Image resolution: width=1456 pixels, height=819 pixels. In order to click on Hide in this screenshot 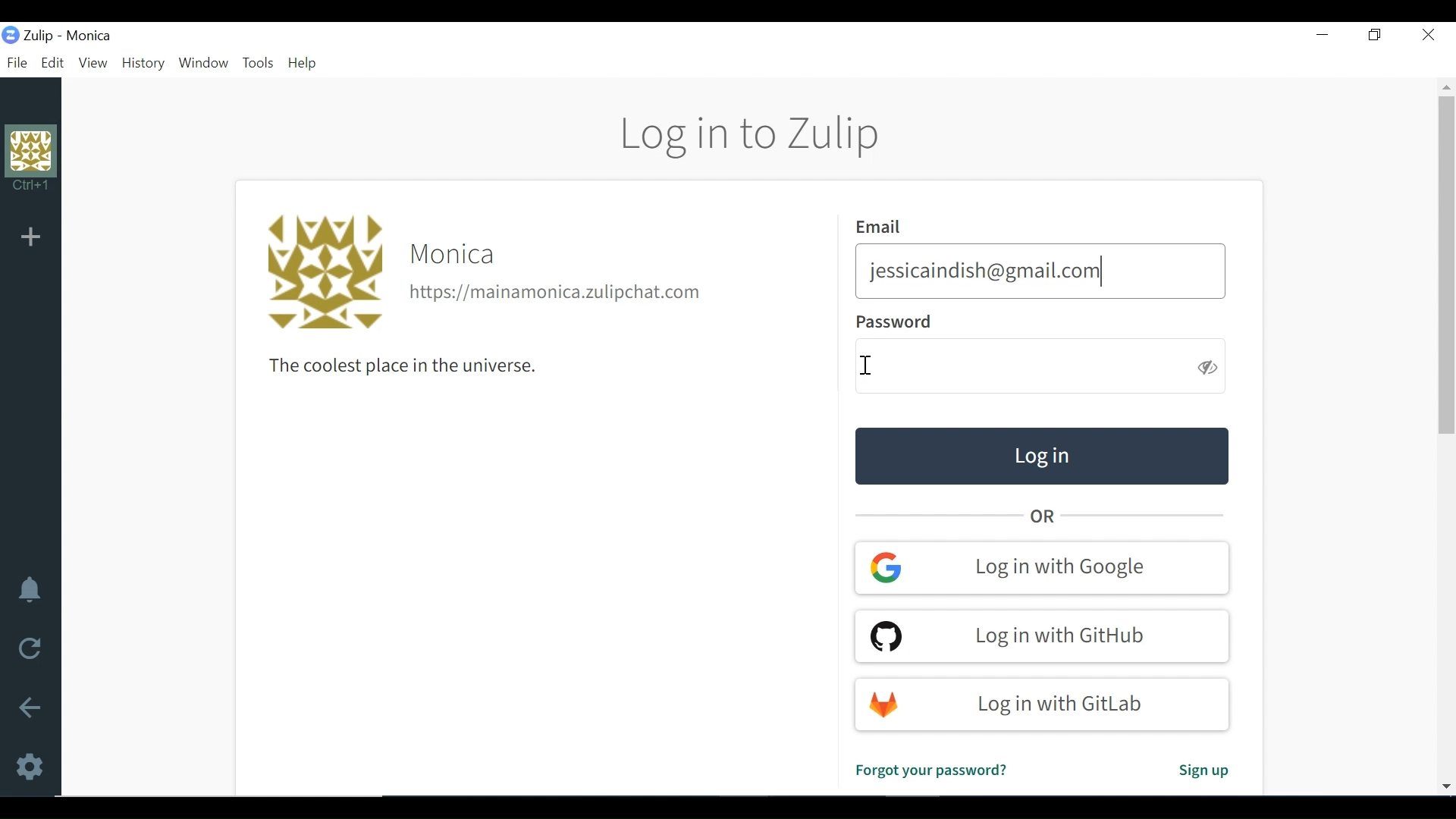, I will do `click(1208, 366)`.